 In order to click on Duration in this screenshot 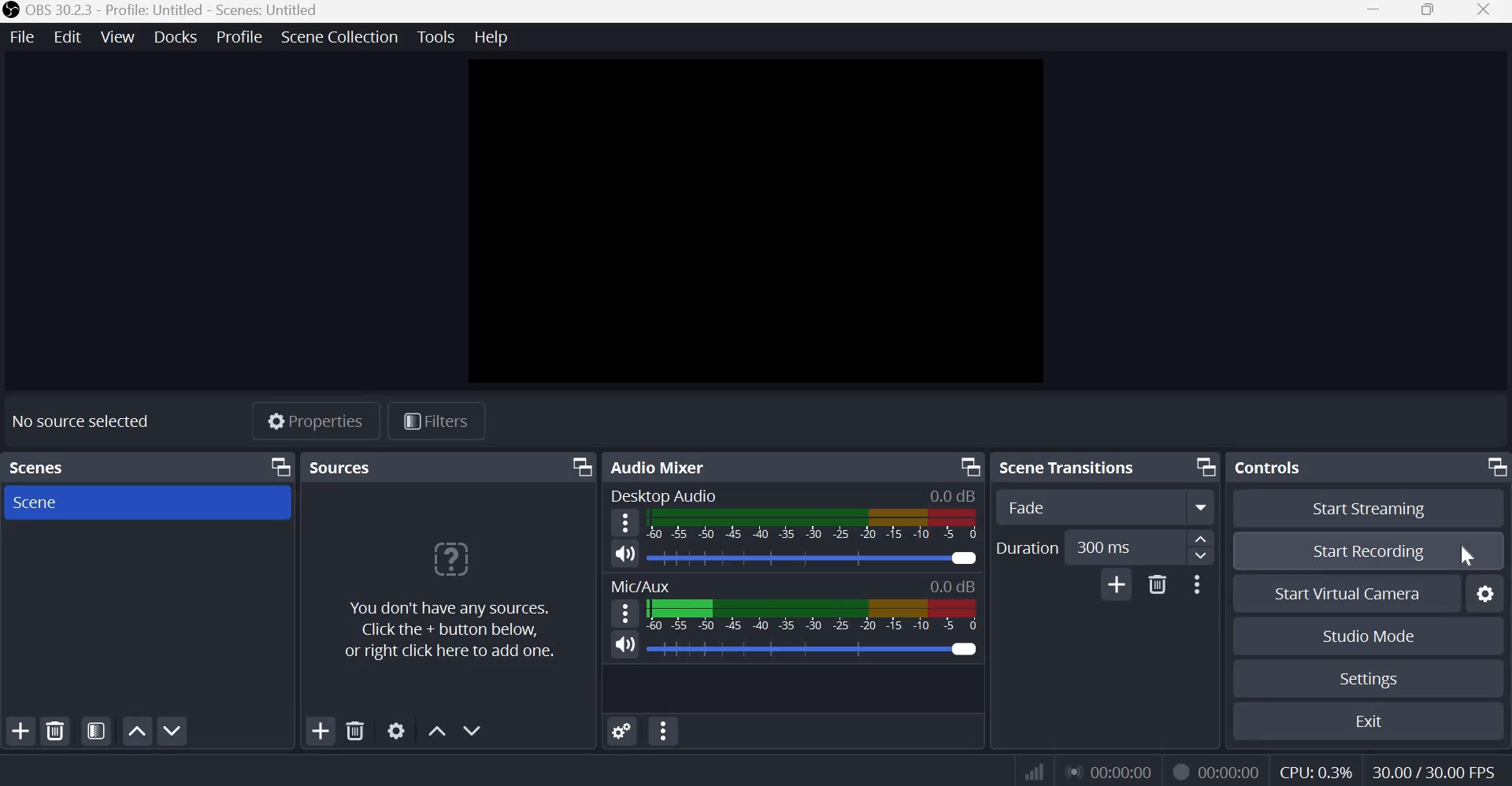, I will do `click(1028, 547)`.